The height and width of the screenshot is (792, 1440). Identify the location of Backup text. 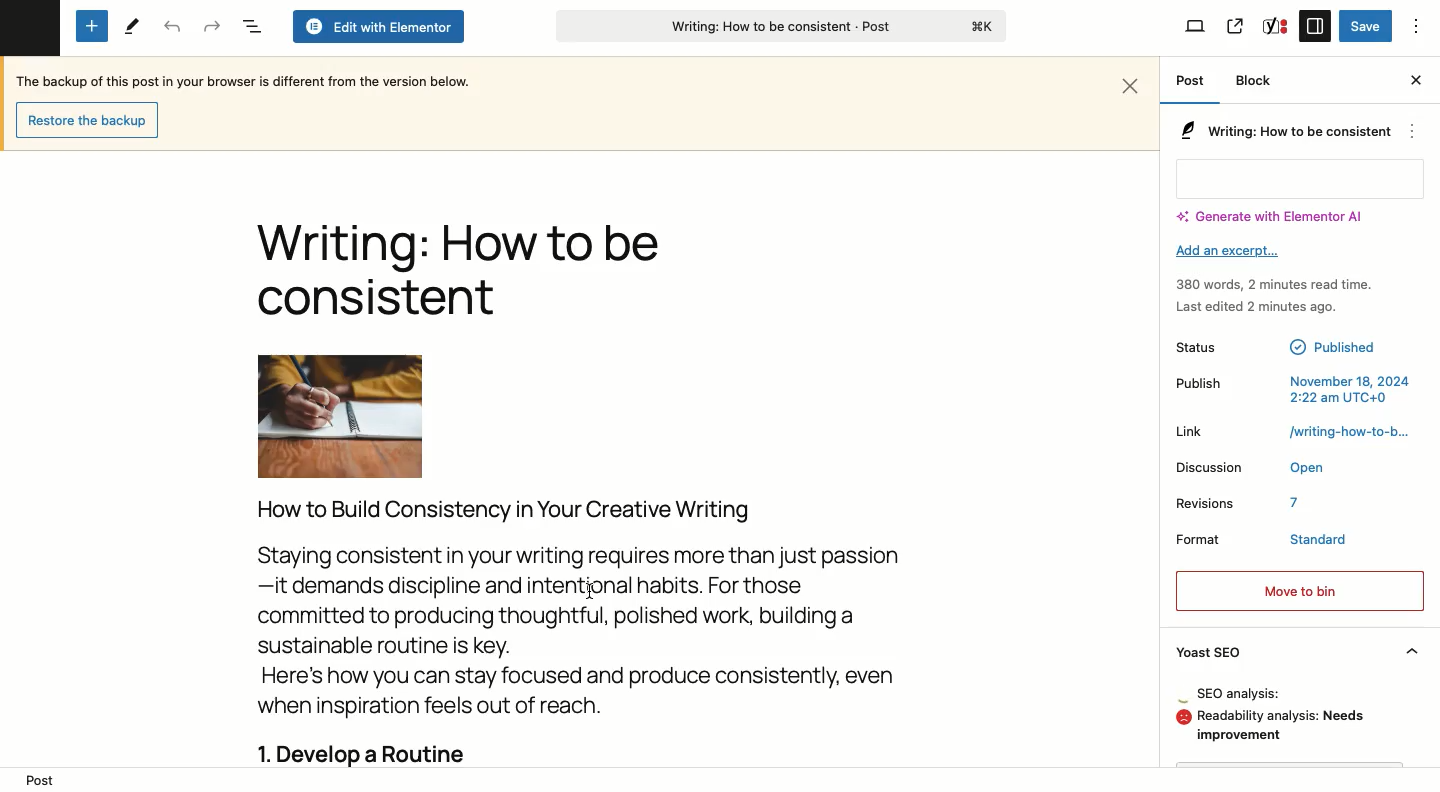
(247, 80).